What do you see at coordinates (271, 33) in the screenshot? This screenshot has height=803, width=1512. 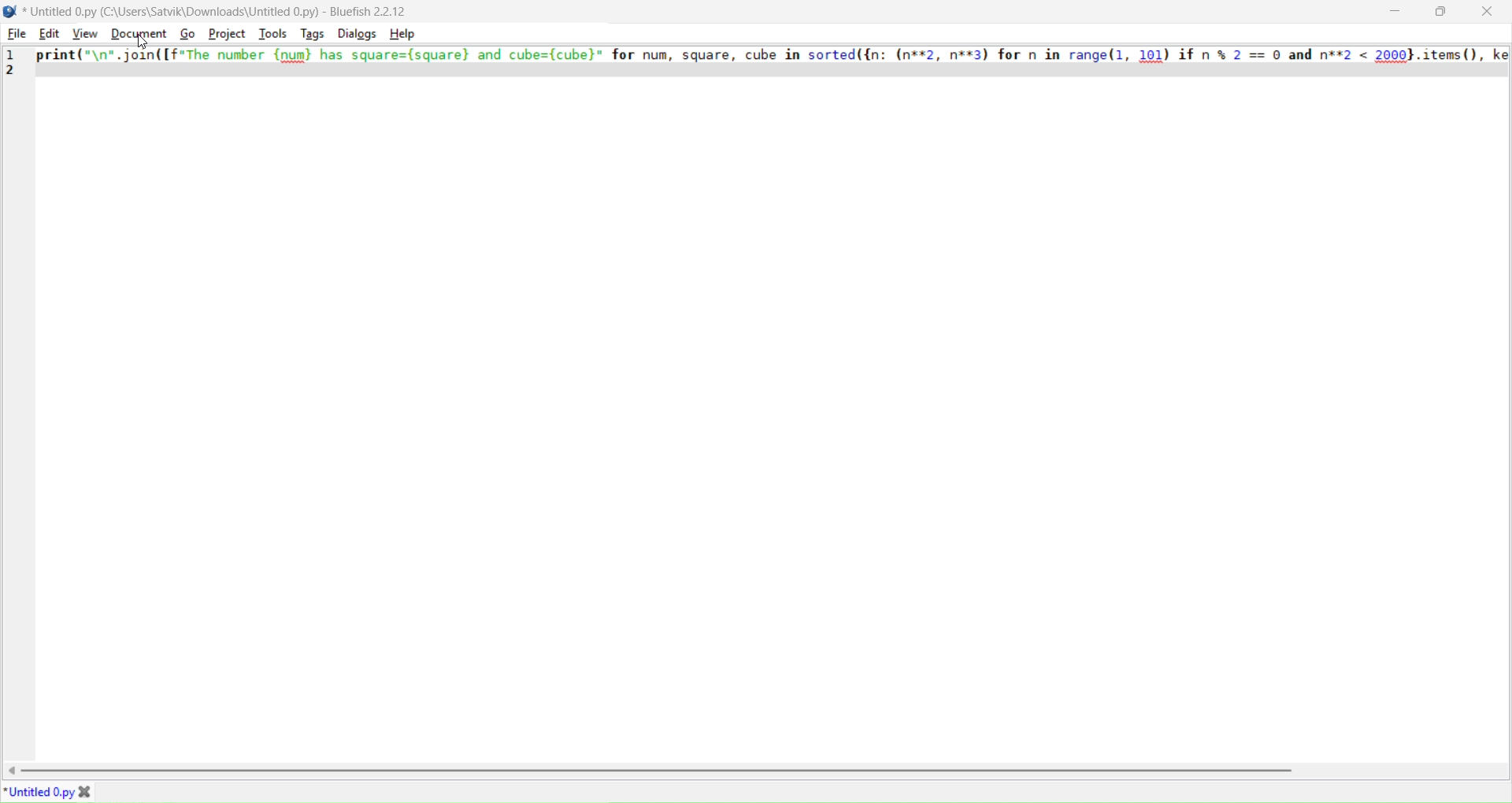 I see `tools` at bounding box center [271, 33].